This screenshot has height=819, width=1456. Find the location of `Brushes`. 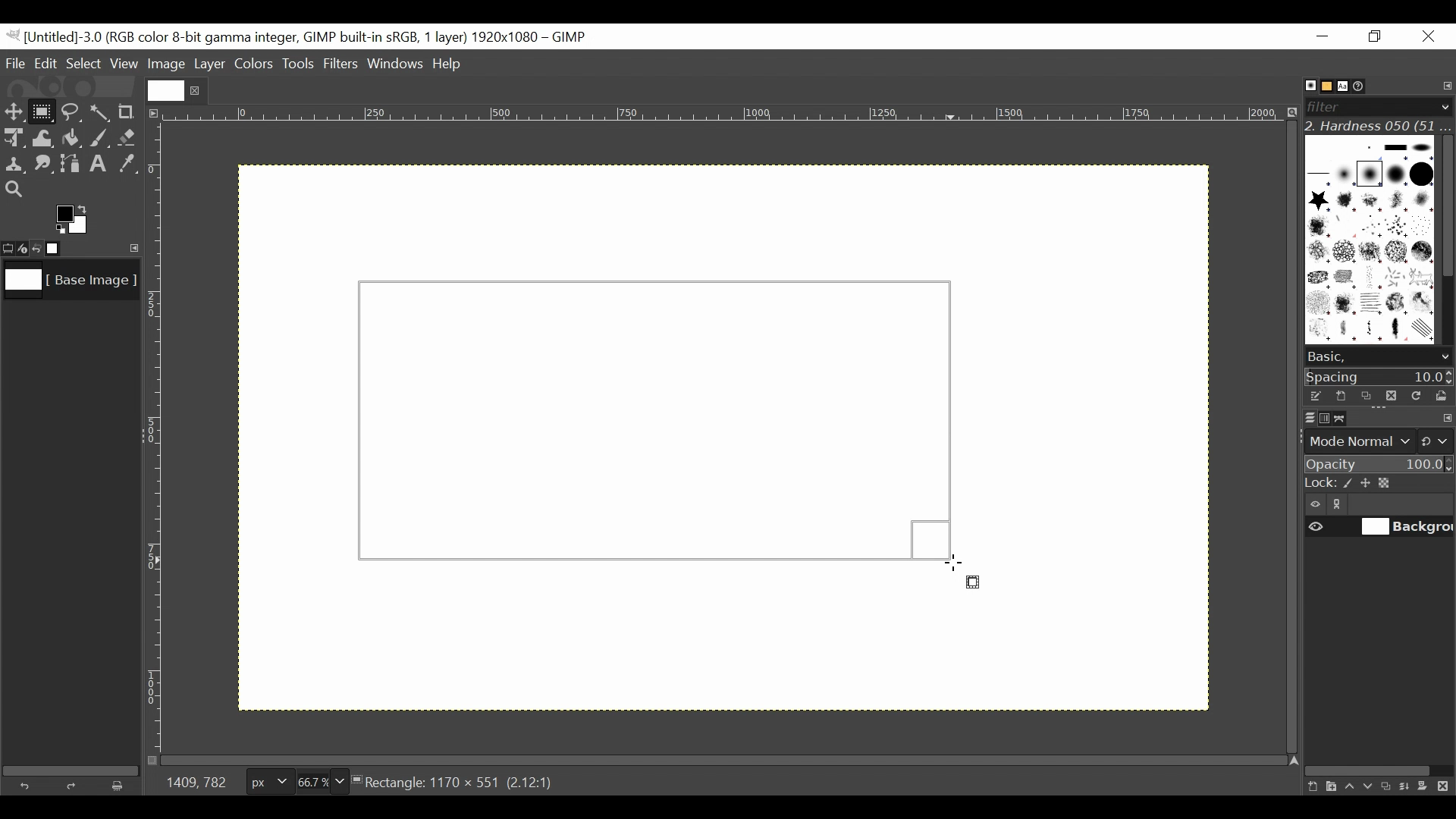

Brushes is located at coordinates (1303, 86).